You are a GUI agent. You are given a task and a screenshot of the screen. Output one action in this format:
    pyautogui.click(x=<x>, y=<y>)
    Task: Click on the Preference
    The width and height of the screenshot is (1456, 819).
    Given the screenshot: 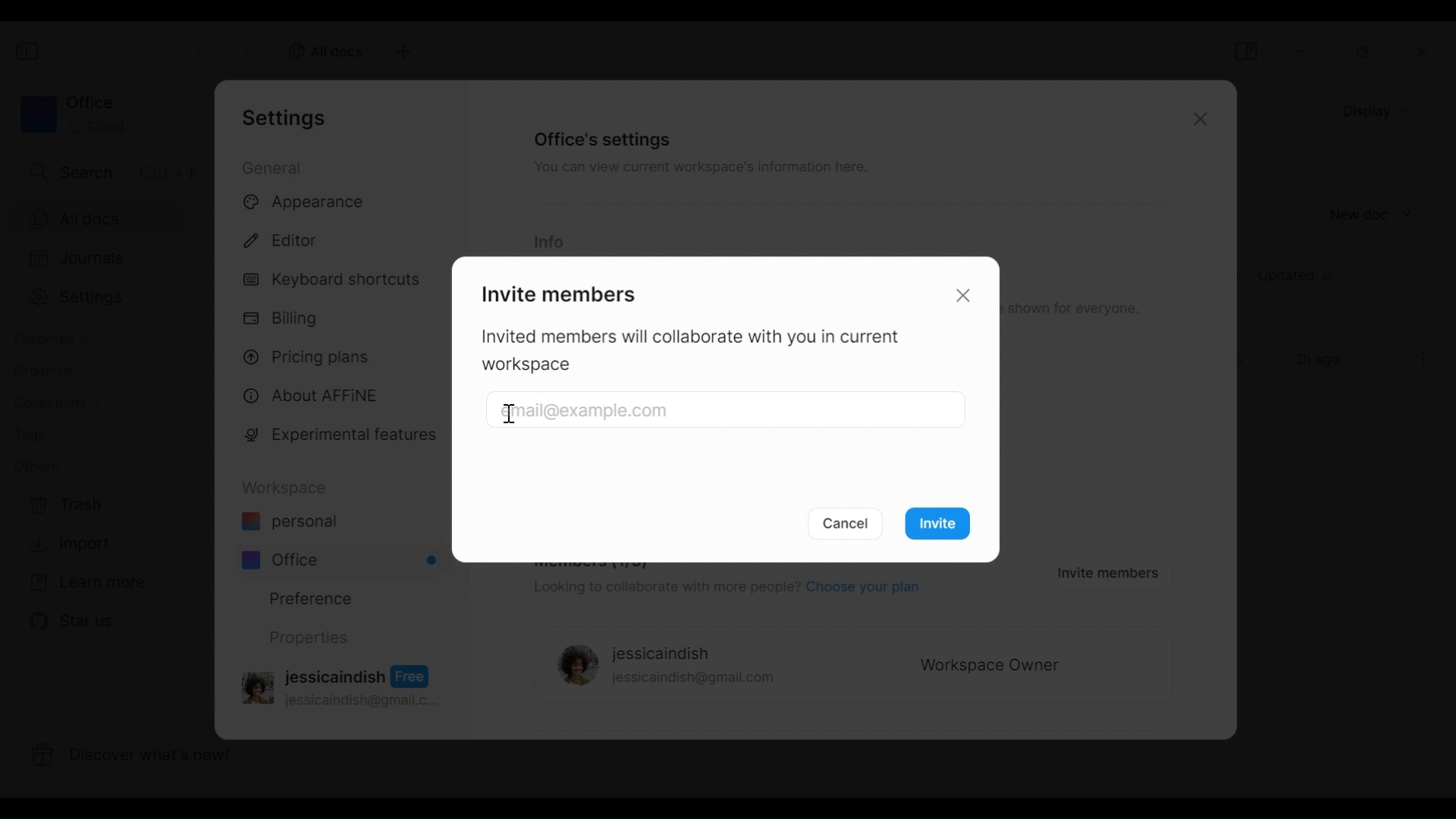 What is the action you would take?
    pyautogui.click(x=305, y=598)
    